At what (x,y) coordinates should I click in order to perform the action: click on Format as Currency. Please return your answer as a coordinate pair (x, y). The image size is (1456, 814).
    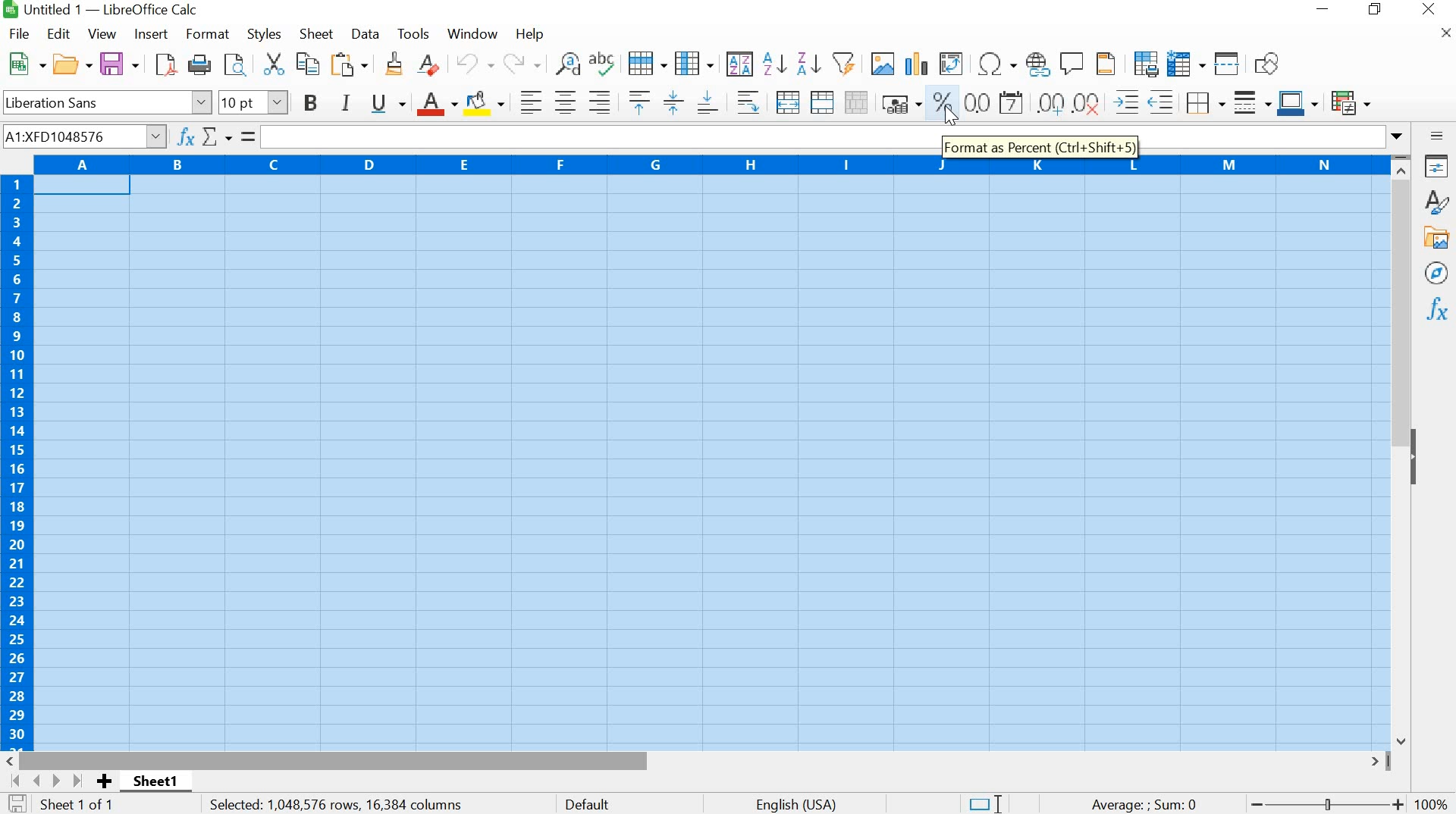
    Looking at the image, I should click on (899, 103).